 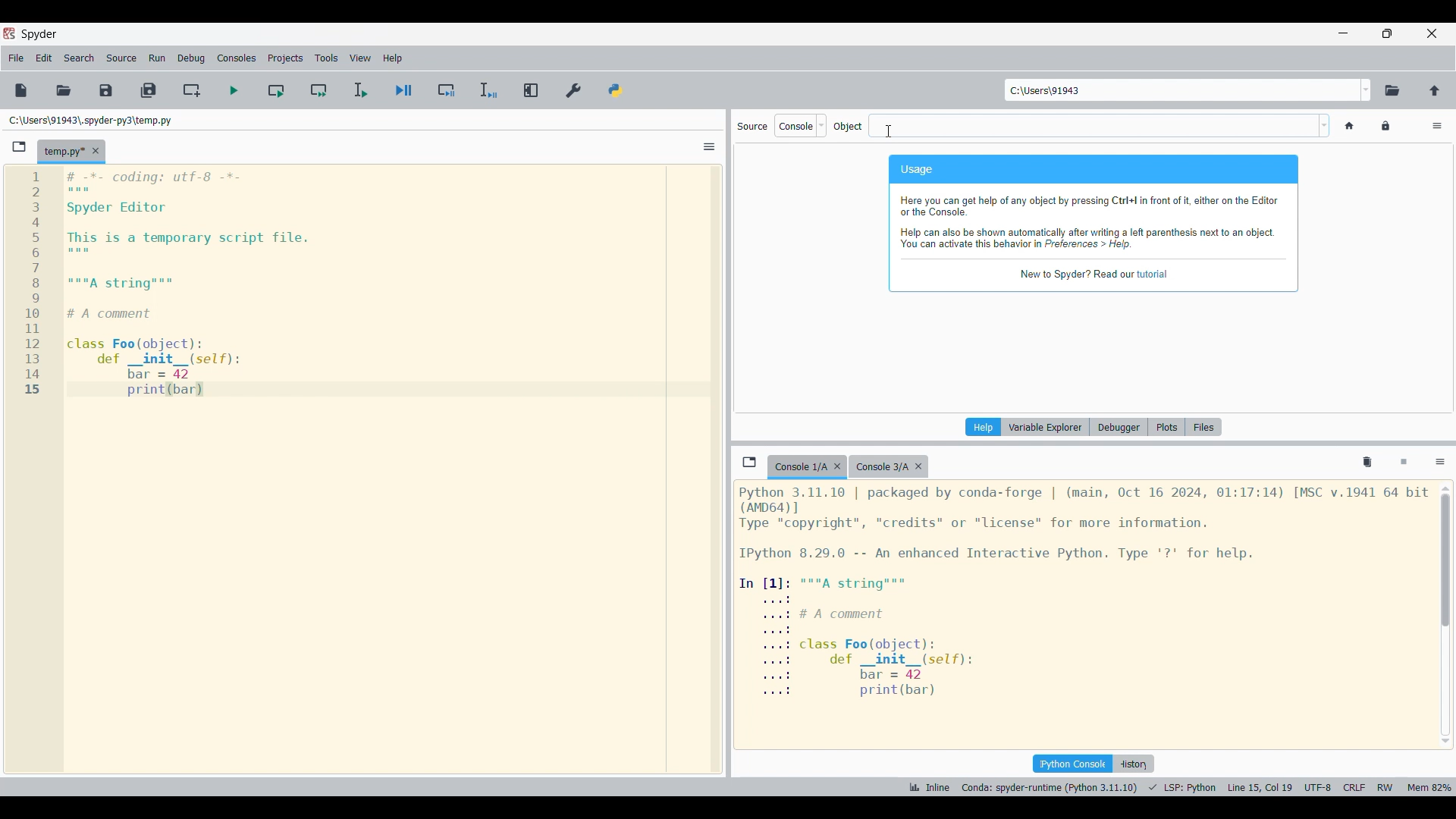 What do you see at coordinates (149, 90) in the screenshot?
I see `Save all files` at bounding box center [149, 90].